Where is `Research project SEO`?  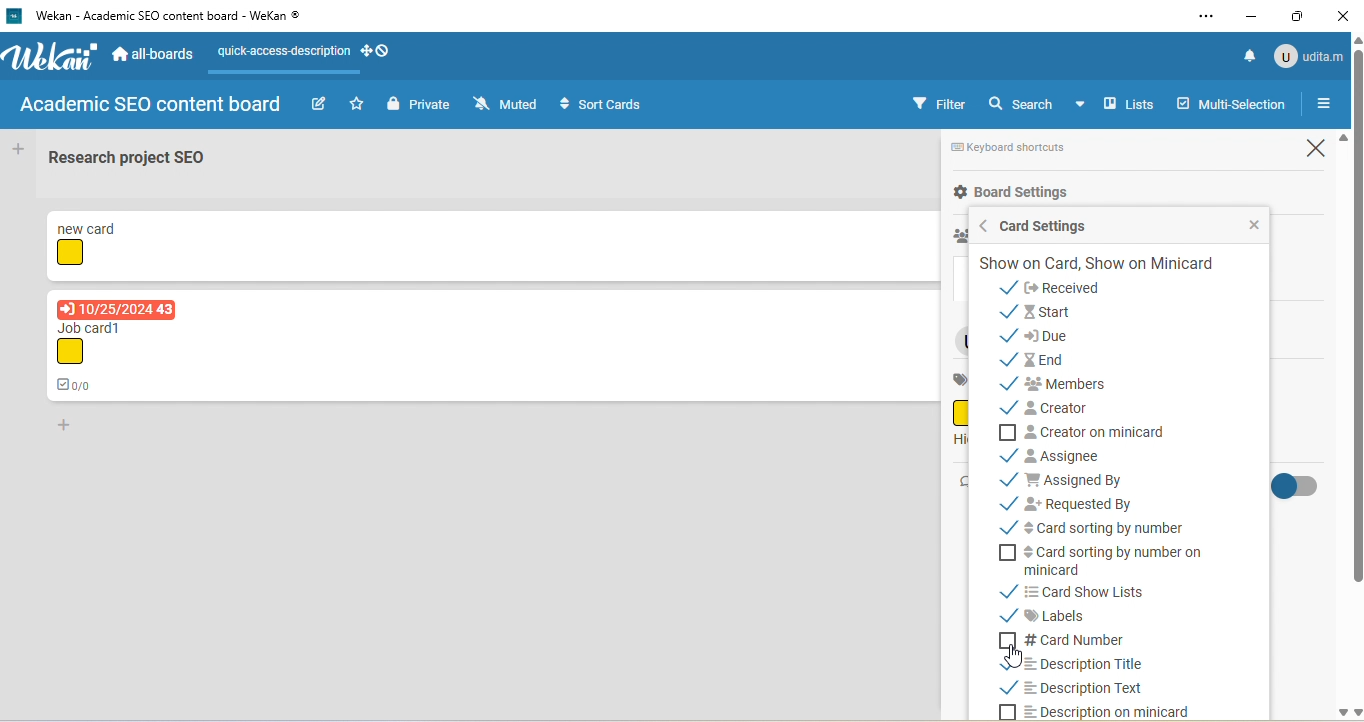 Research project SEO is located at coordinates (129, 157).